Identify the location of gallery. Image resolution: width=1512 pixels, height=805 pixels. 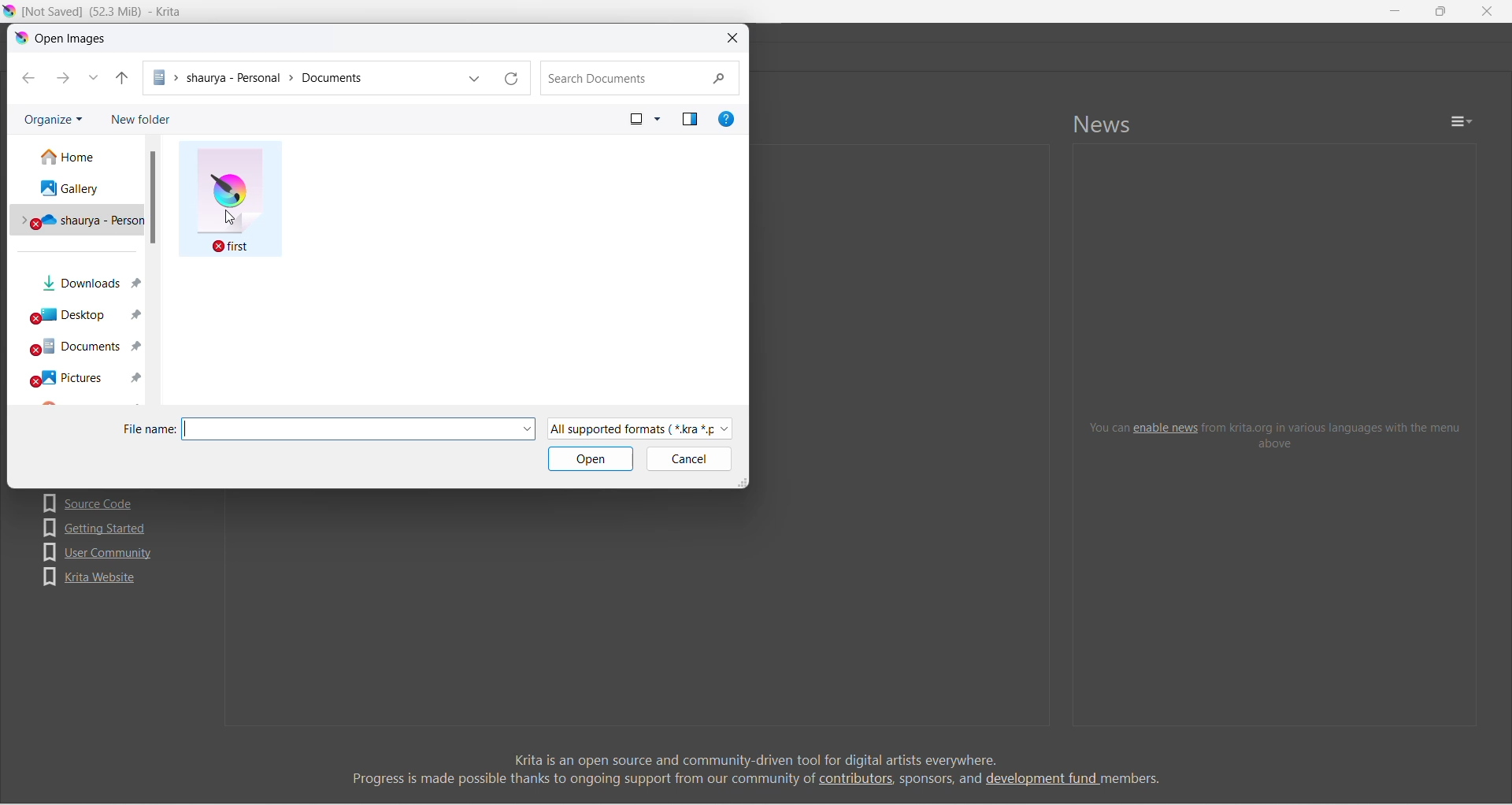
(76, 186).